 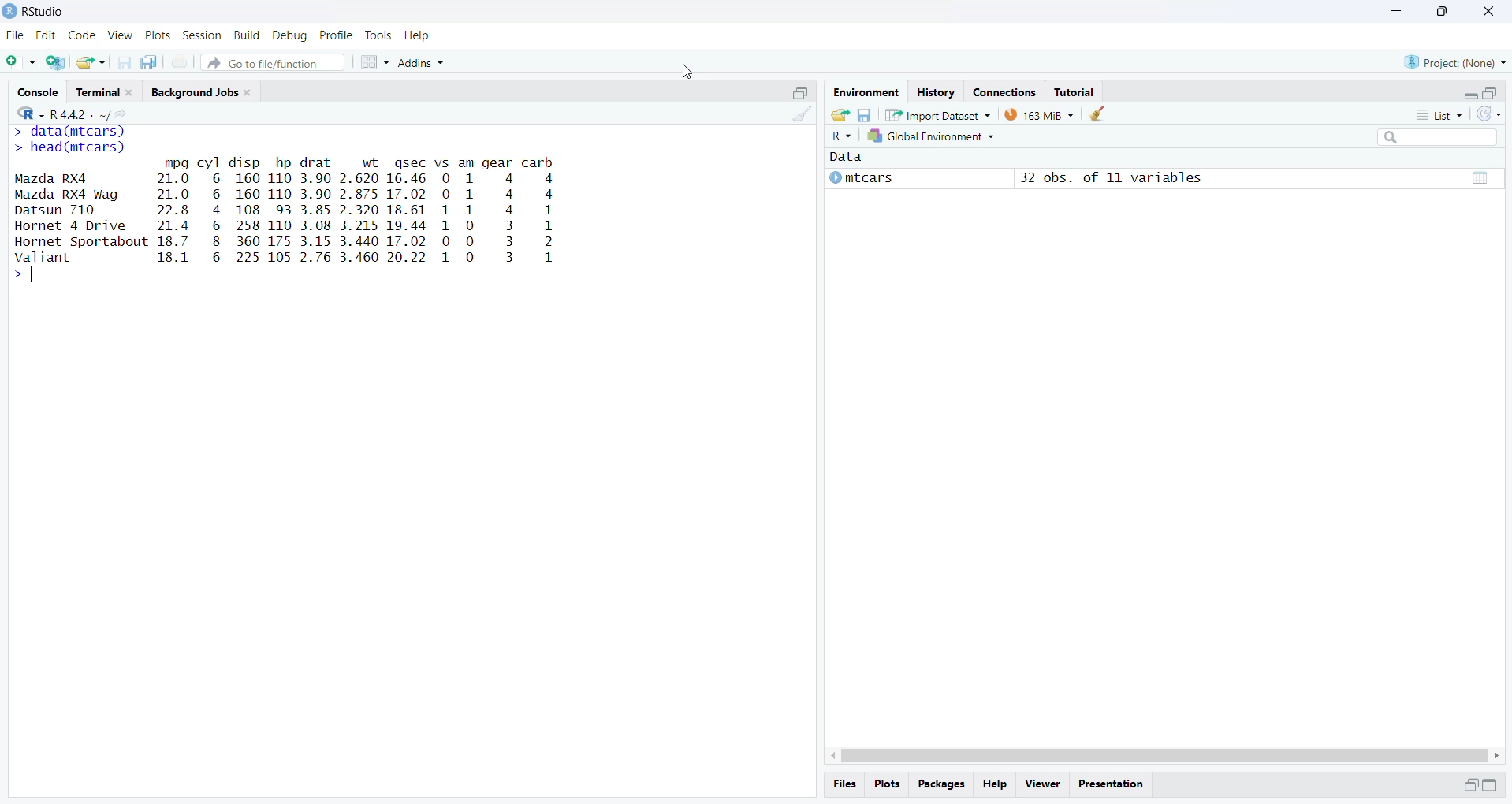 What do you see at coordinates (938, 93) in the screenshot?
I see `History` at bounding box center [938, 93].